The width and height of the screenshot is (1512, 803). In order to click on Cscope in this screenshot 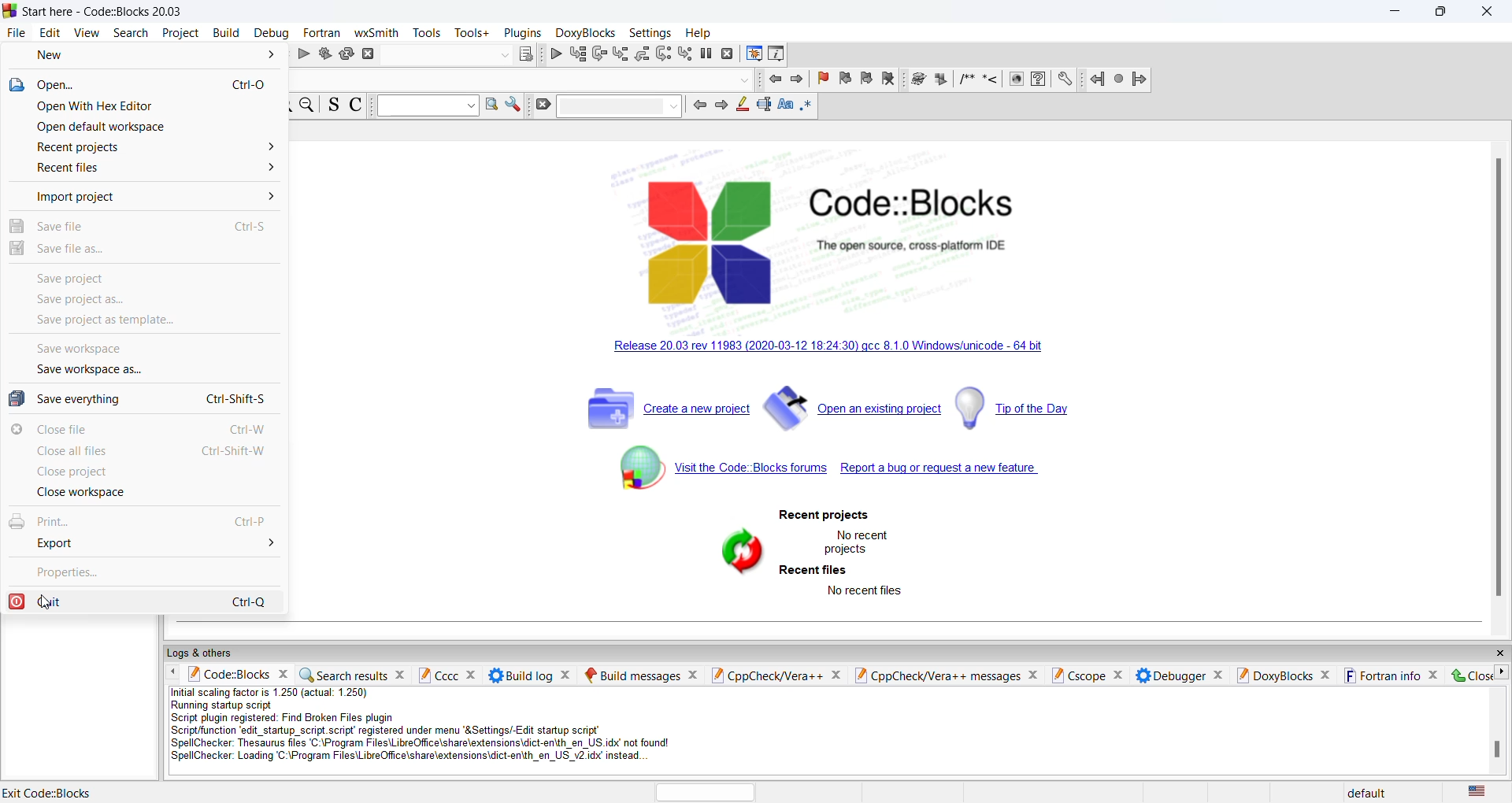, I will do `click(1089, 674)`.